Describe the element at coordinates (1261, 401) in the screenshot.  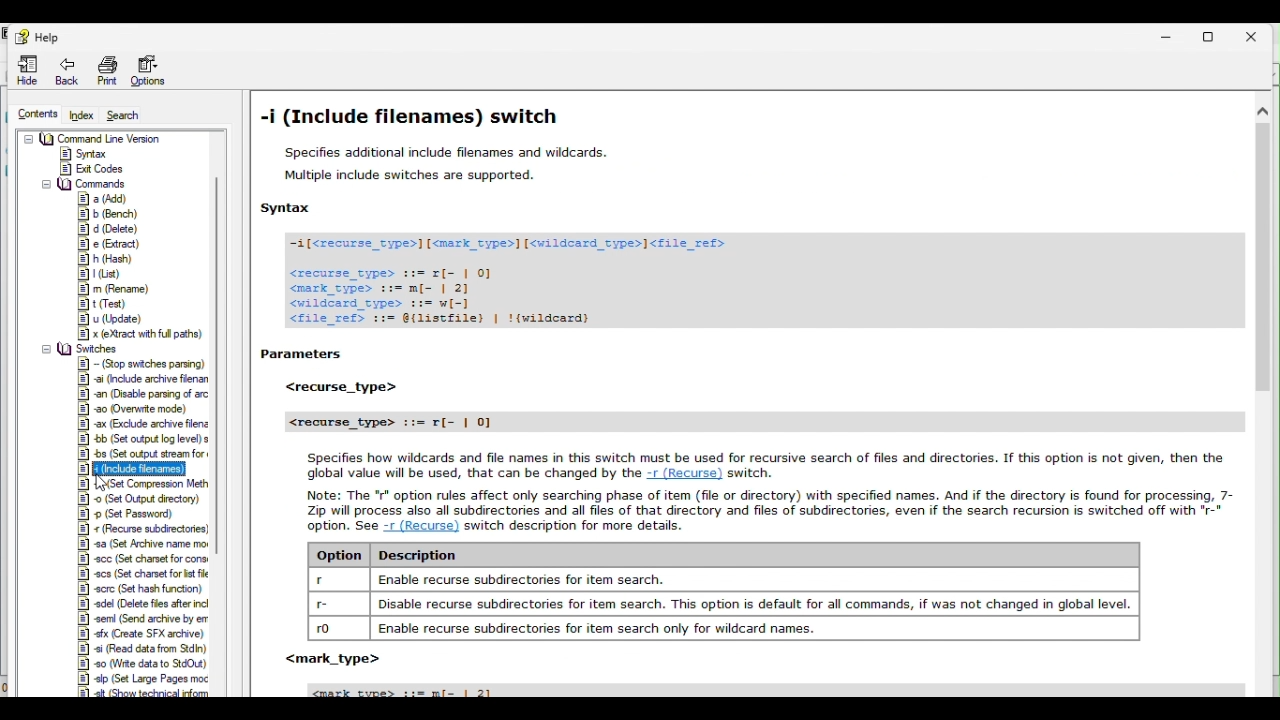
I see `Scrollbar` at that location.